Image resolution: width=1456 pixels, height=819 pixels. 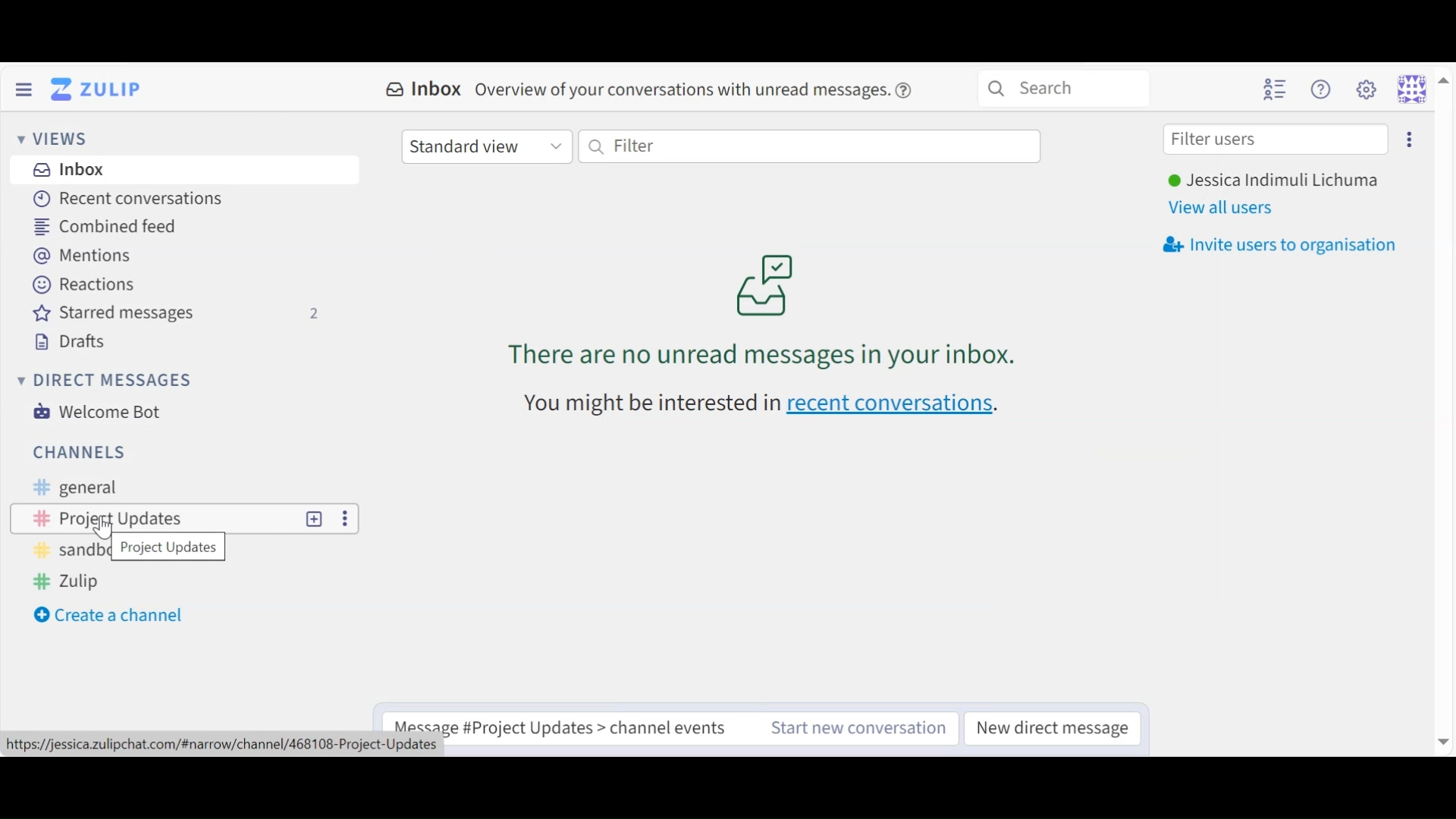 I want to click on Direct Messages, so click(x=108, y=381).